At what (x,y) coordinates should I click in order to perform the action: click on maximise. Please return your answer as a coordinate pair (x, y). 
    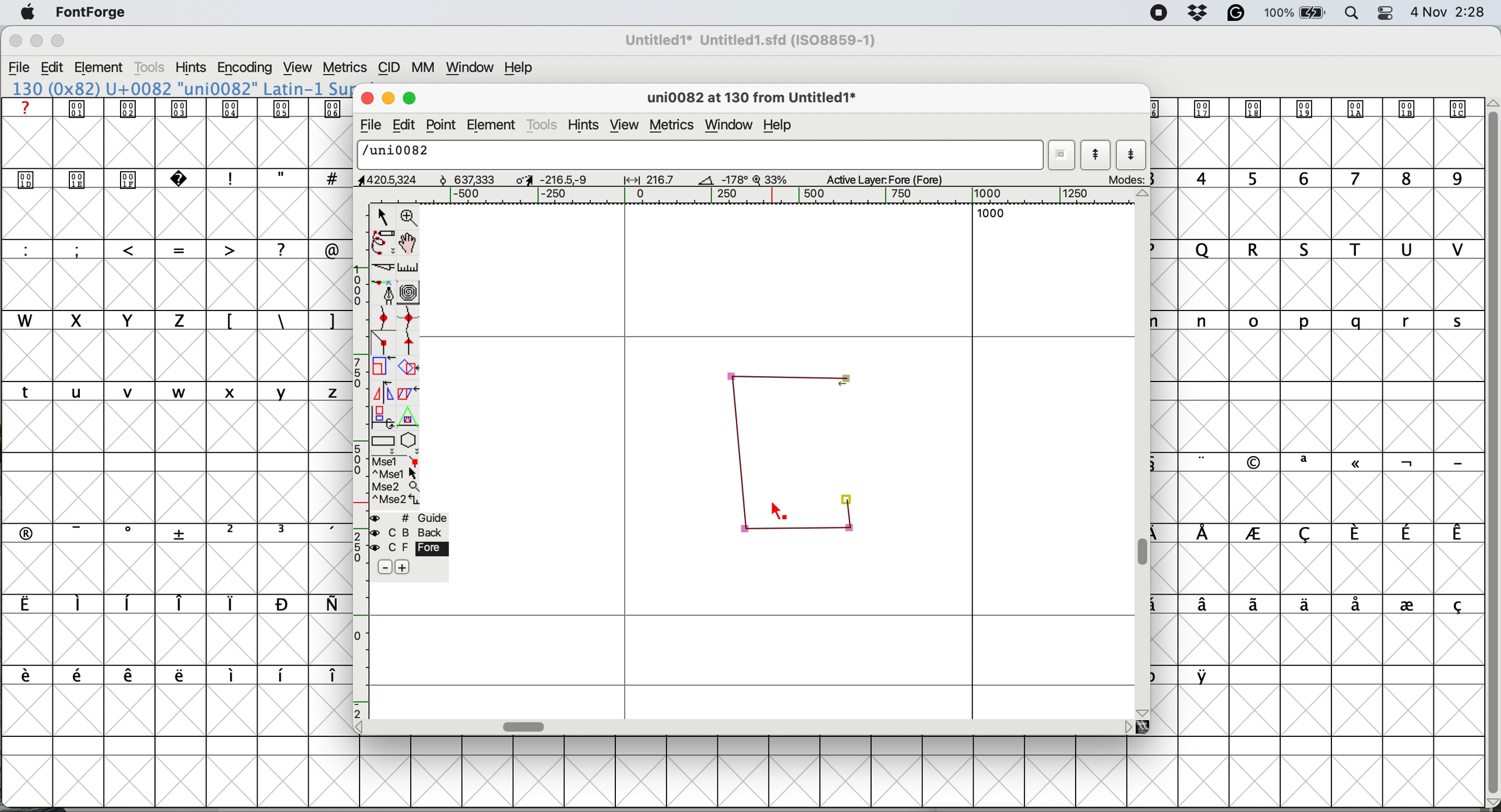
    Looking at the image, I should click on (412, 96).